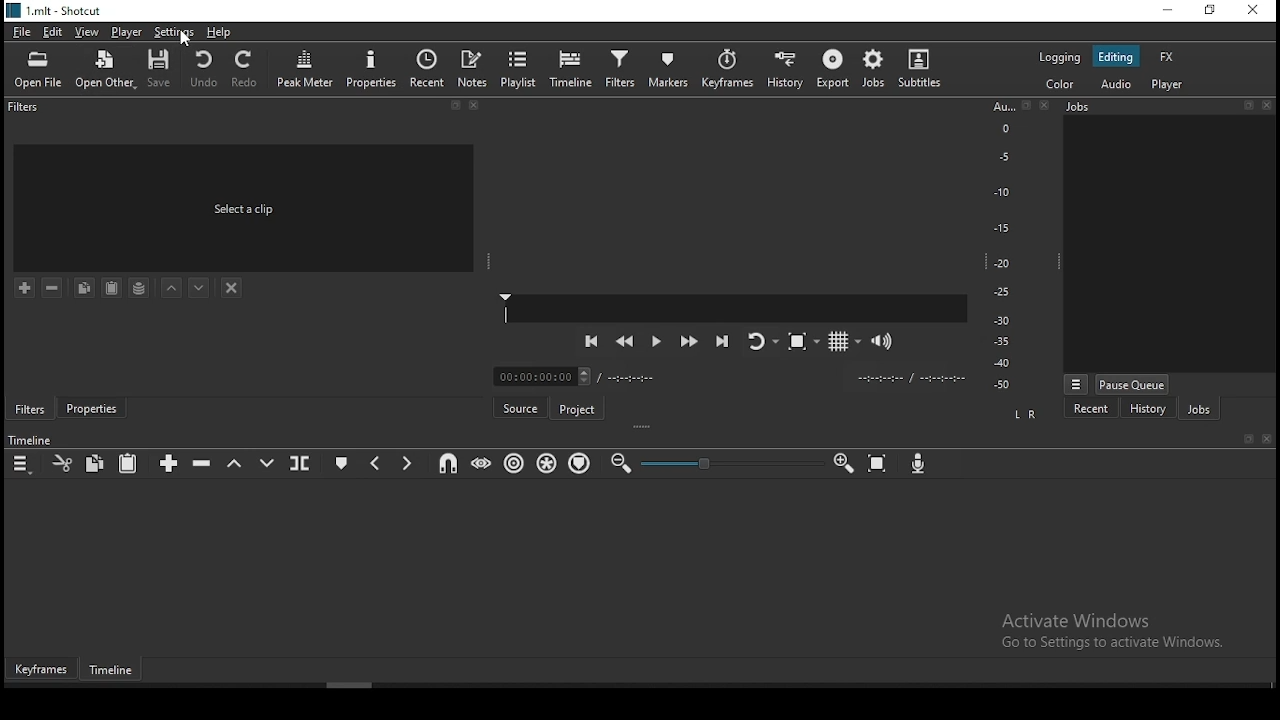 Image resolution: width=1280 pixels, height=720 pixels. I want to click on filters, so click(620, 69).